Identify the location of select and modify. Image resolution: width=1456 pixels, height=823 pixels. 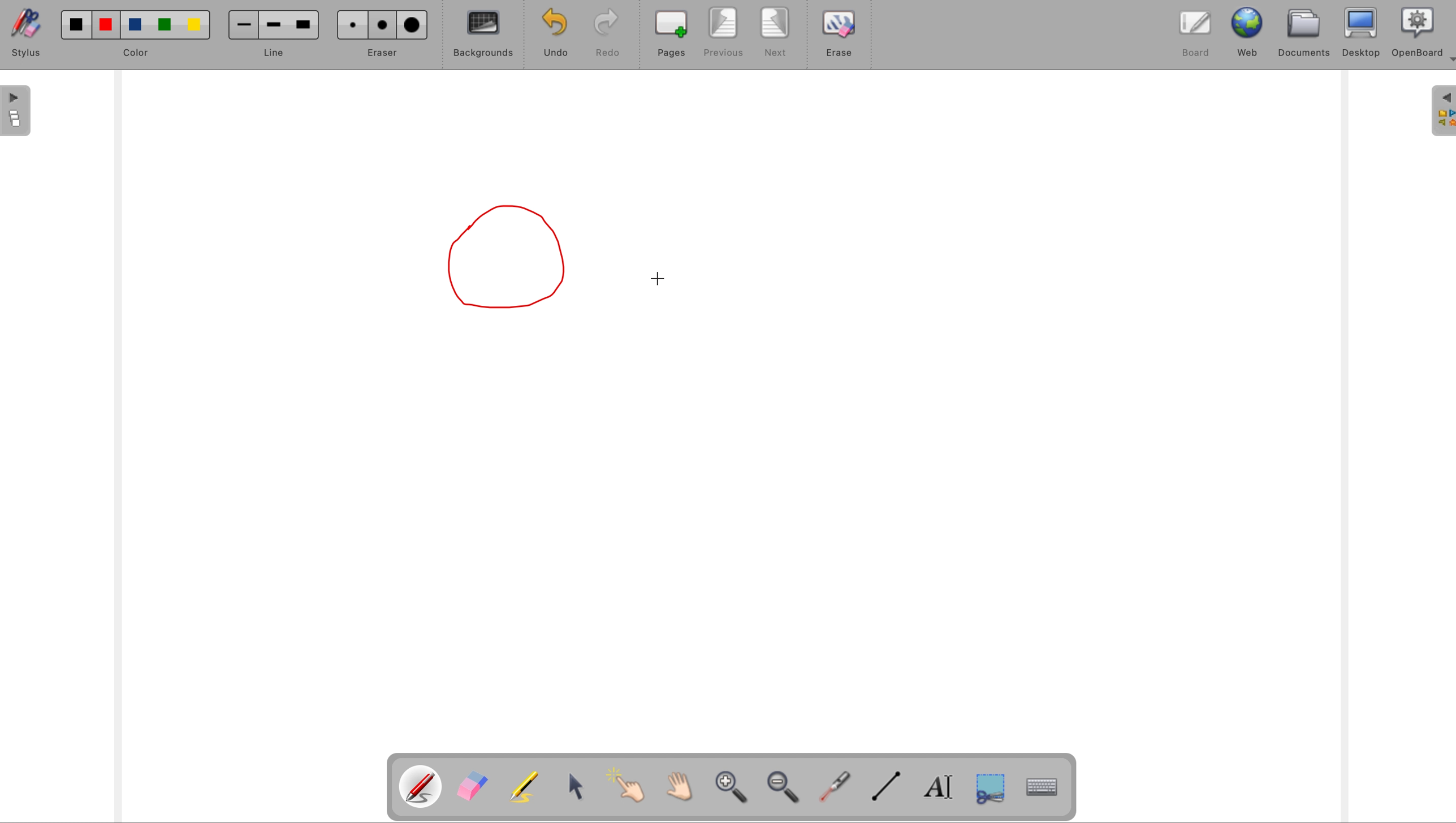
(580, 789).